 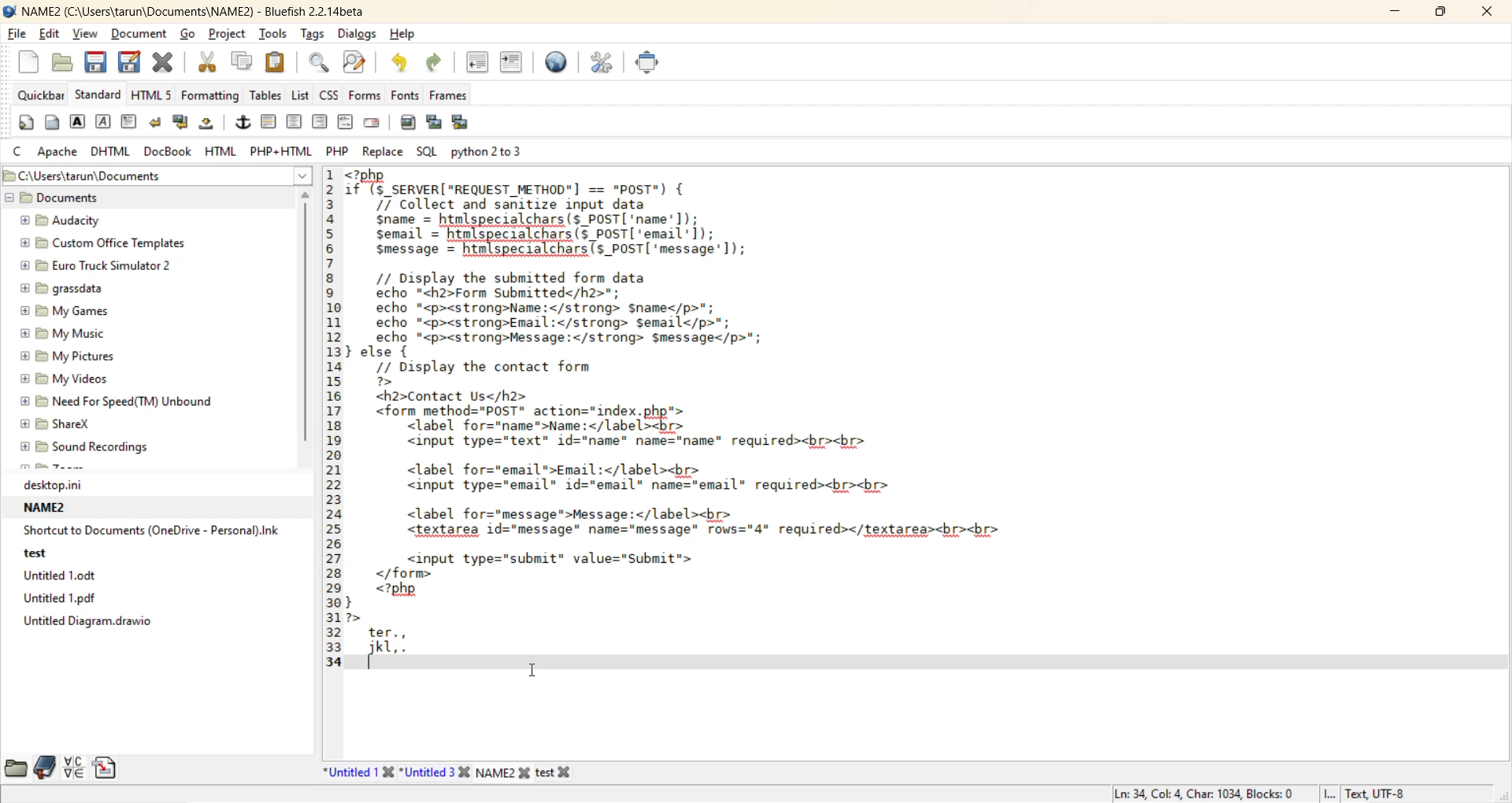 I want to click on insert thumbnail, so click(x=437, y=124).